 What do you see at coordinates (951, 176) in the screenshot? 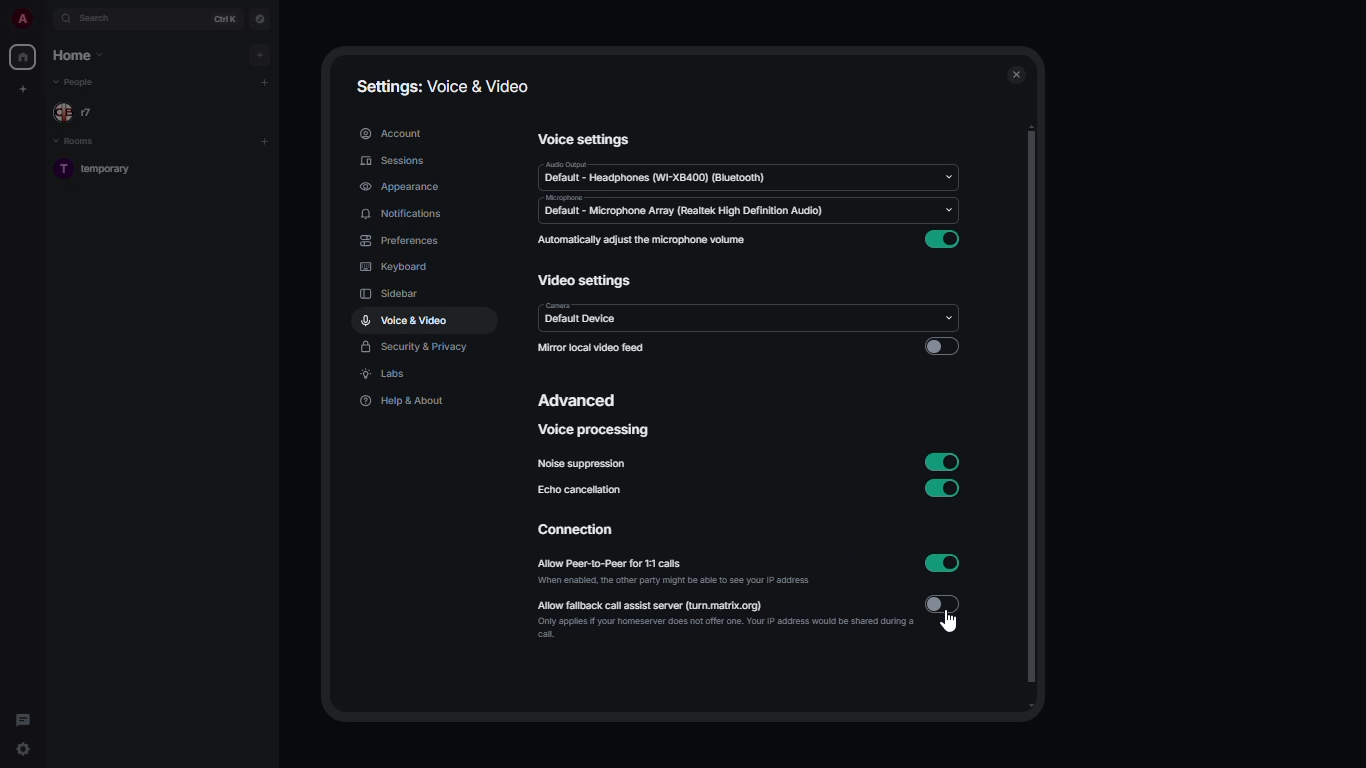
I see `drop down` at bounding box center [951, 176].